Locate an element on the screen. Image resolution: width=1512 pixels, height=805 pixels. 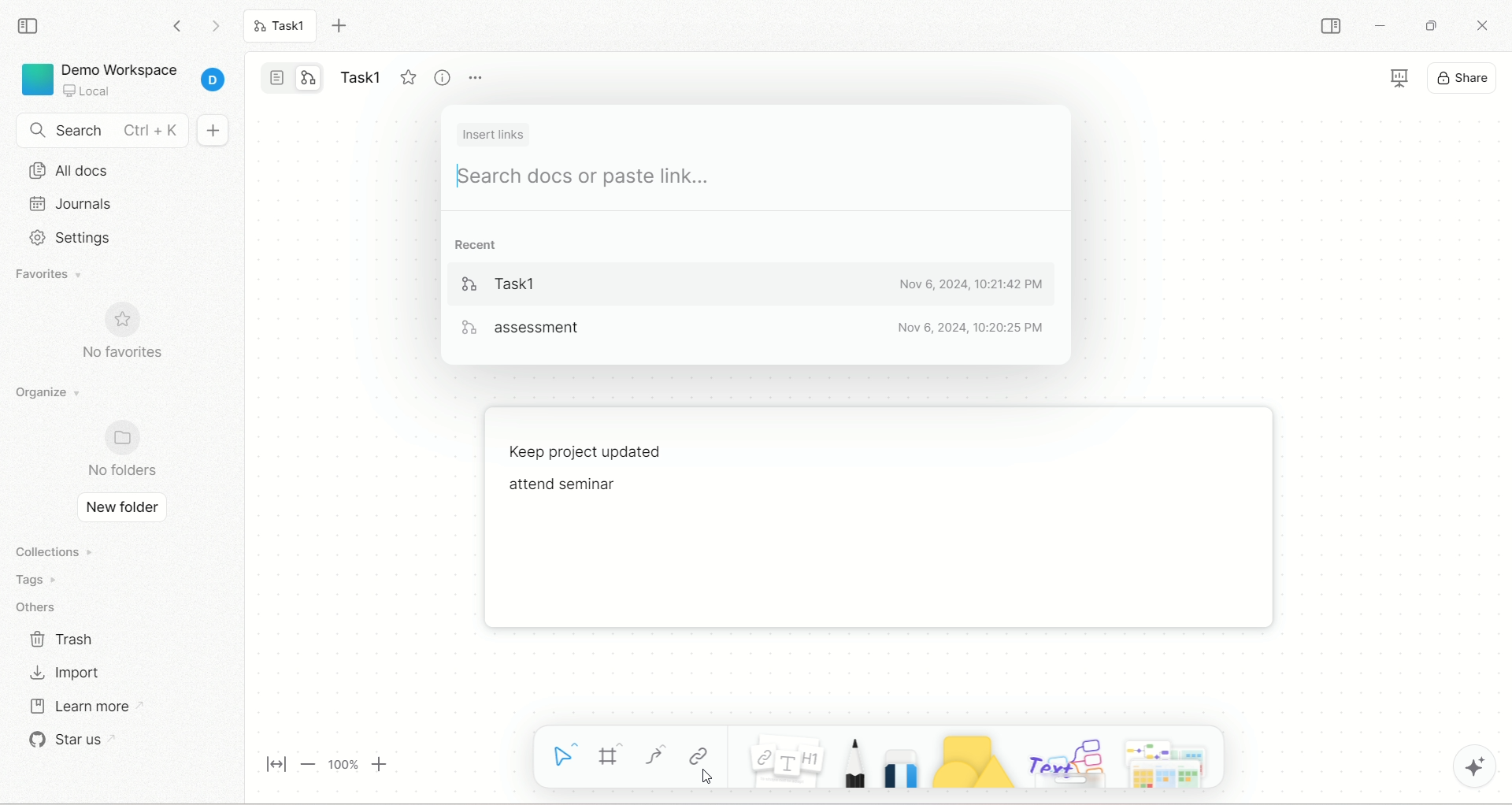
collapse sidebar is located at coordinates (31, 26).